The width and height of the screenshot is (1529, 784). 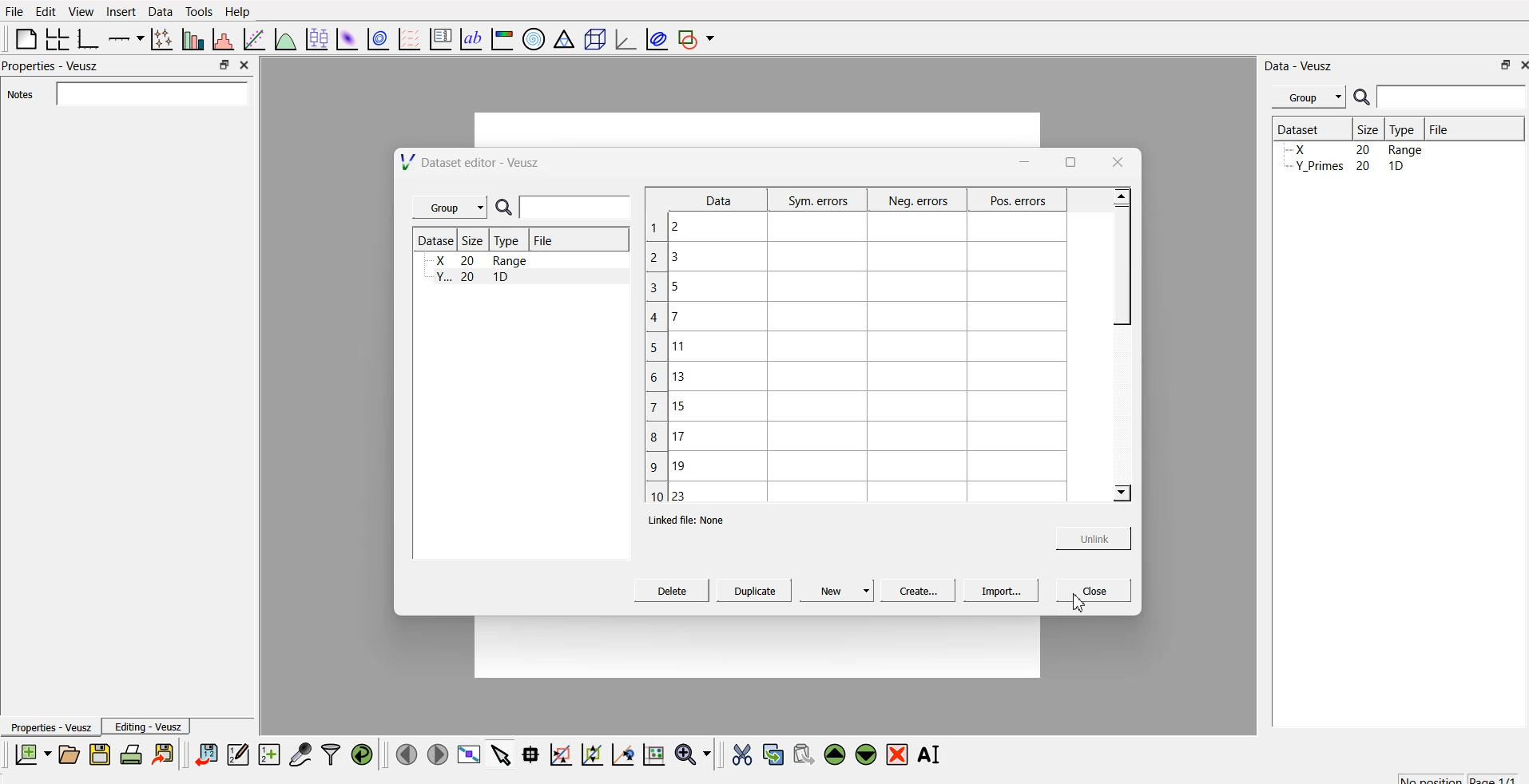 I want to click on reset graph axes, so click(x=653, y=752).